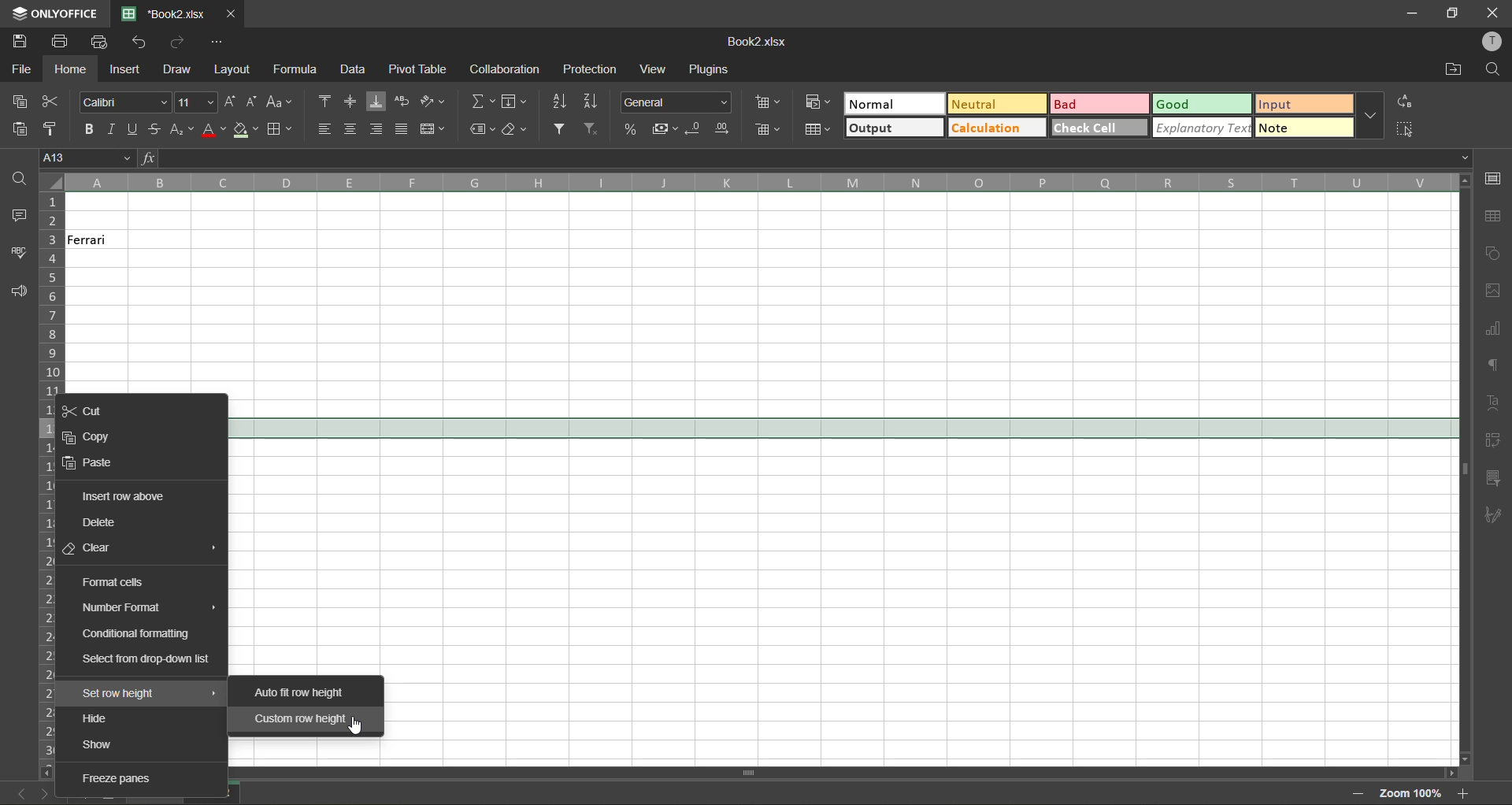  Describe the element at coordinates (1494, 217) in the screenshot. I see `table` at that location.